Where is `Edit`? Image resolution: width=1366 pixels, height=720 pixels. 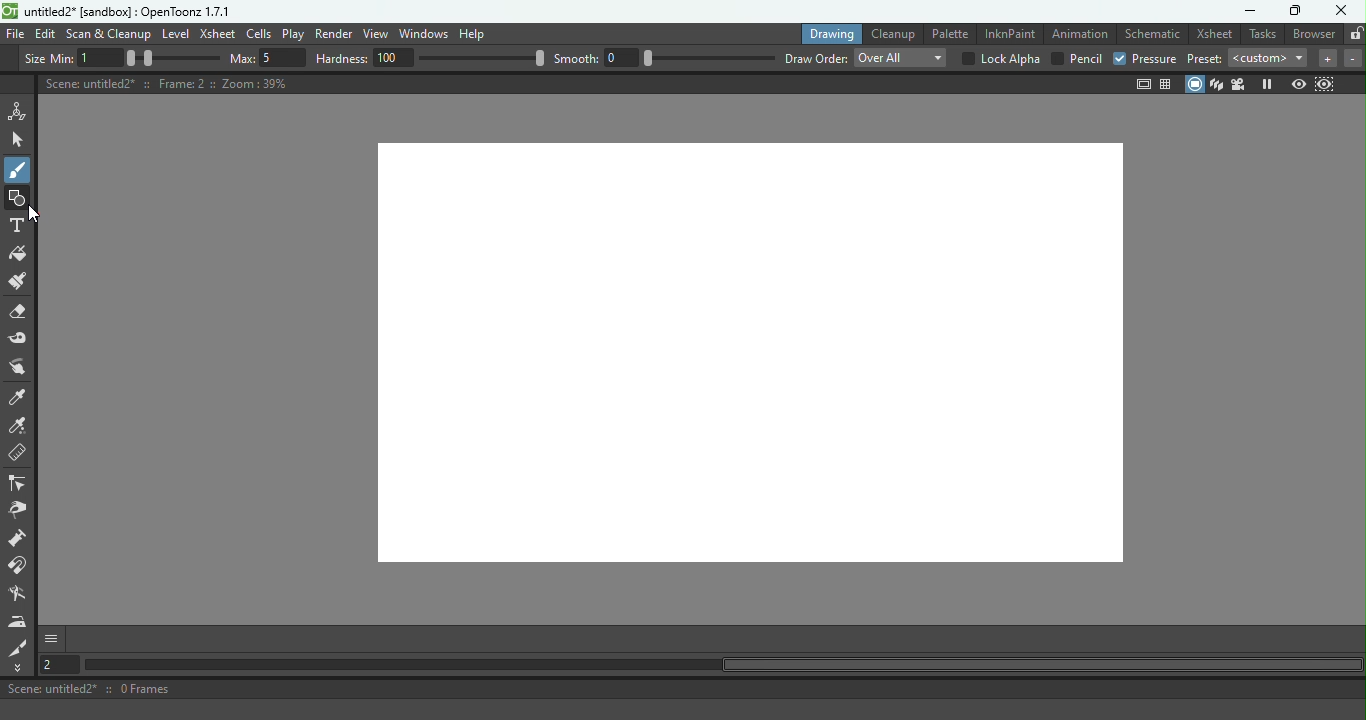 Edit is located at coordinates (46, 35).